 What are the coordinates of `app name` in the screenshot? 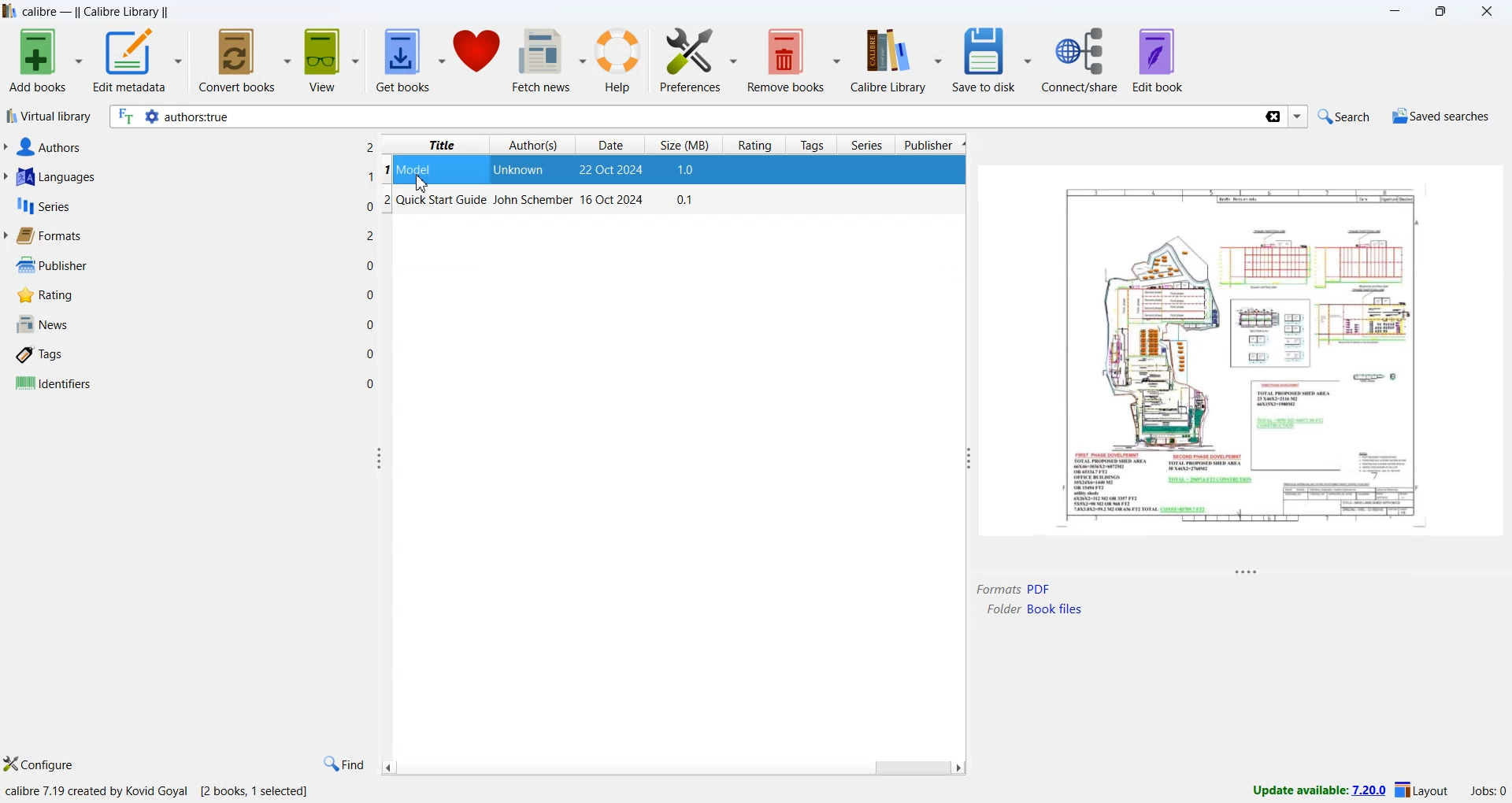 It's located at (9, 11).